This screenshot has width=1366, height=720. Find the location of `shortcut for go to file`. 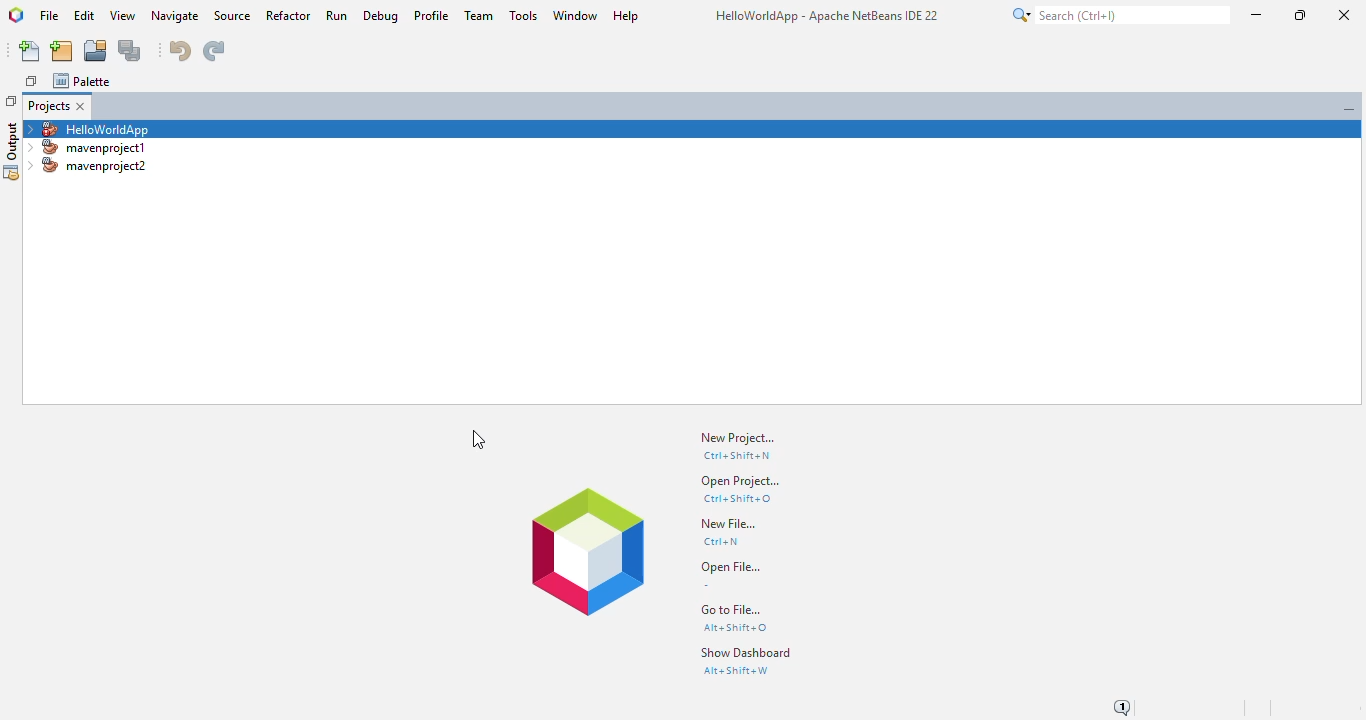

shortcut for go to file is located at coordinates (736, 627).